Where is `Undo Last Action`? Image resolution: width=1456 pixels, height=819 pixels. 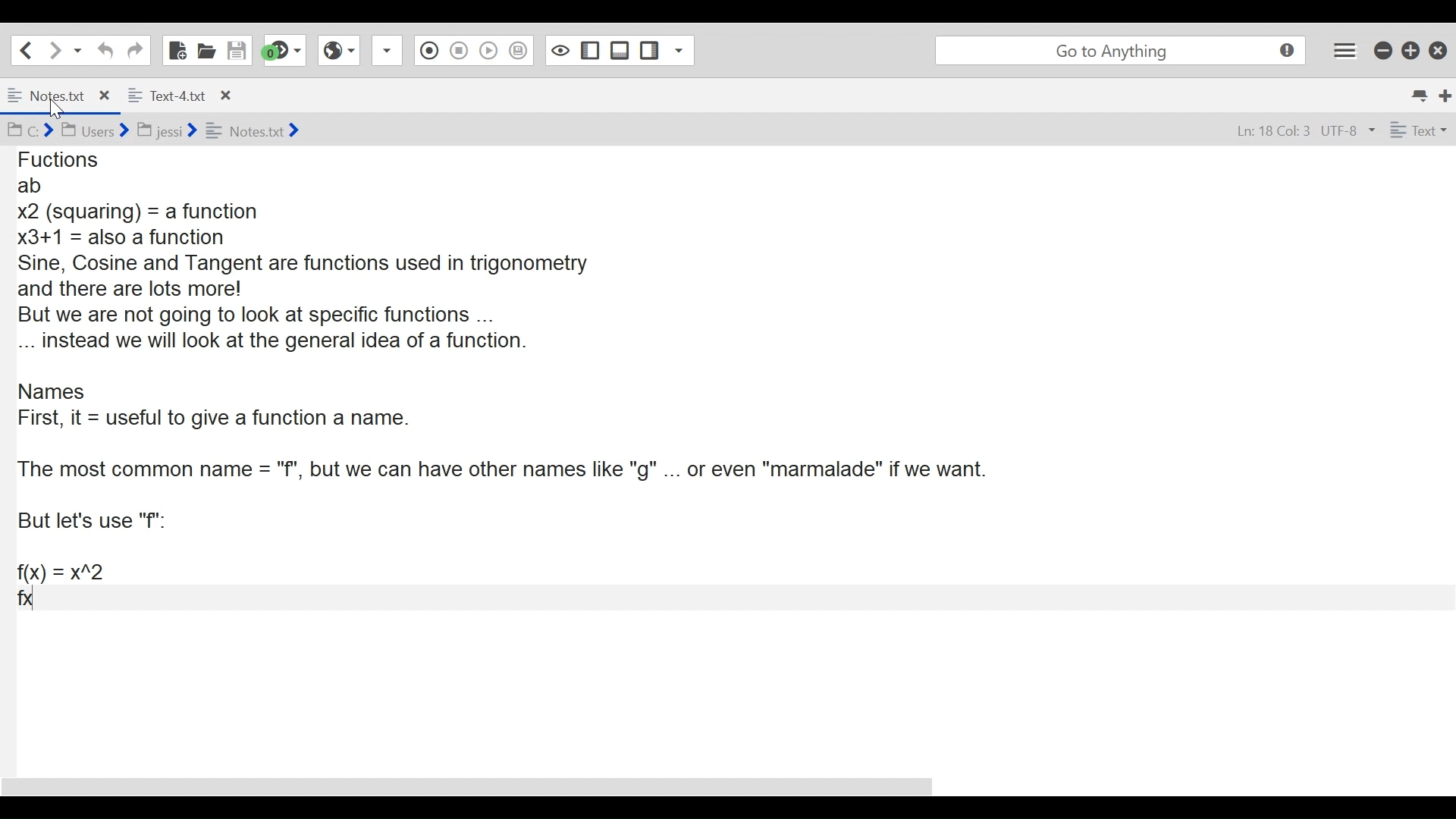 Undo Last Action is located at coordinates (103, 50).